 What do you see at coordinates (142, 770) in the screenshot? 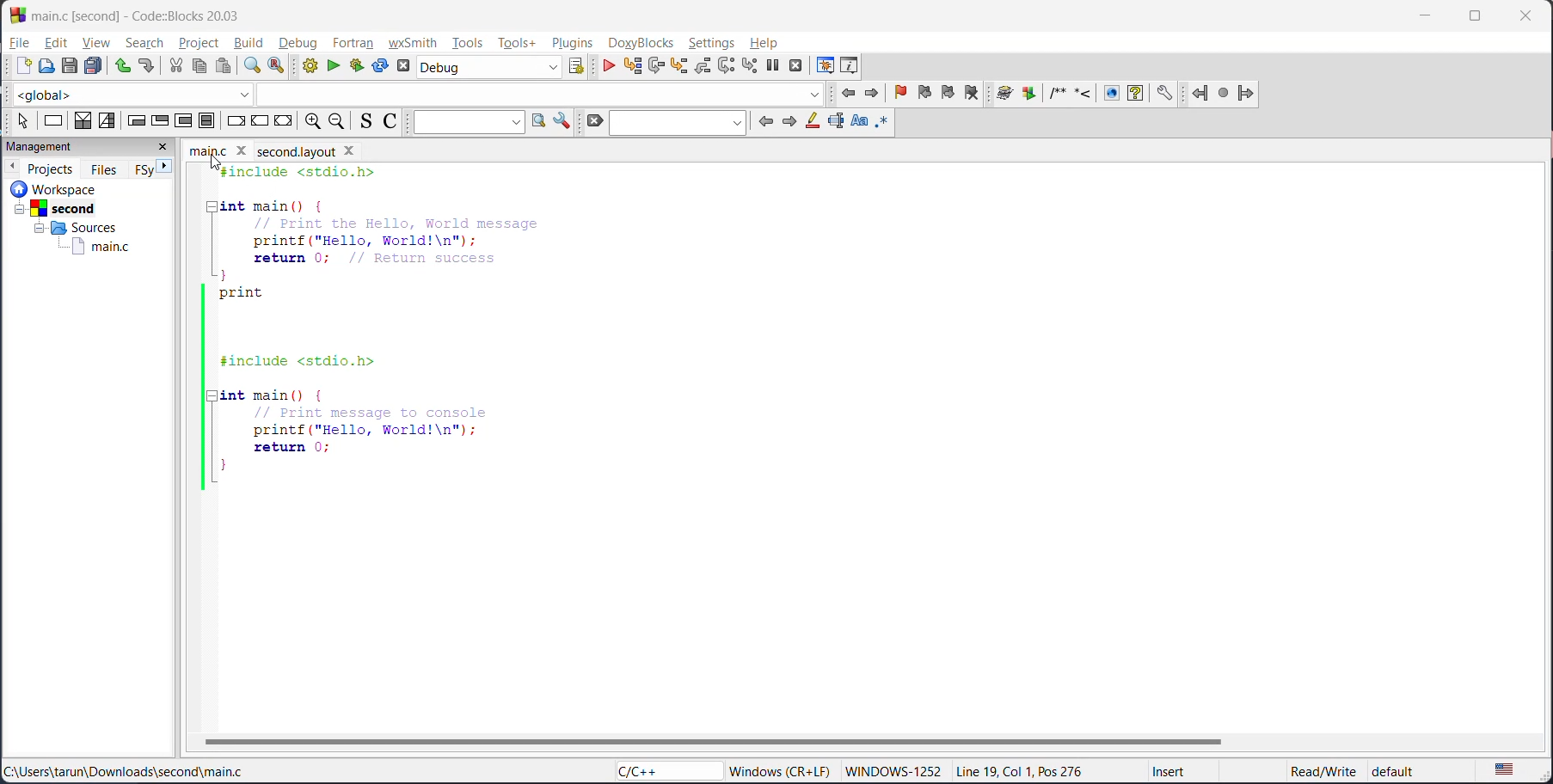
I see `file location` at bounding box center [142, 770].